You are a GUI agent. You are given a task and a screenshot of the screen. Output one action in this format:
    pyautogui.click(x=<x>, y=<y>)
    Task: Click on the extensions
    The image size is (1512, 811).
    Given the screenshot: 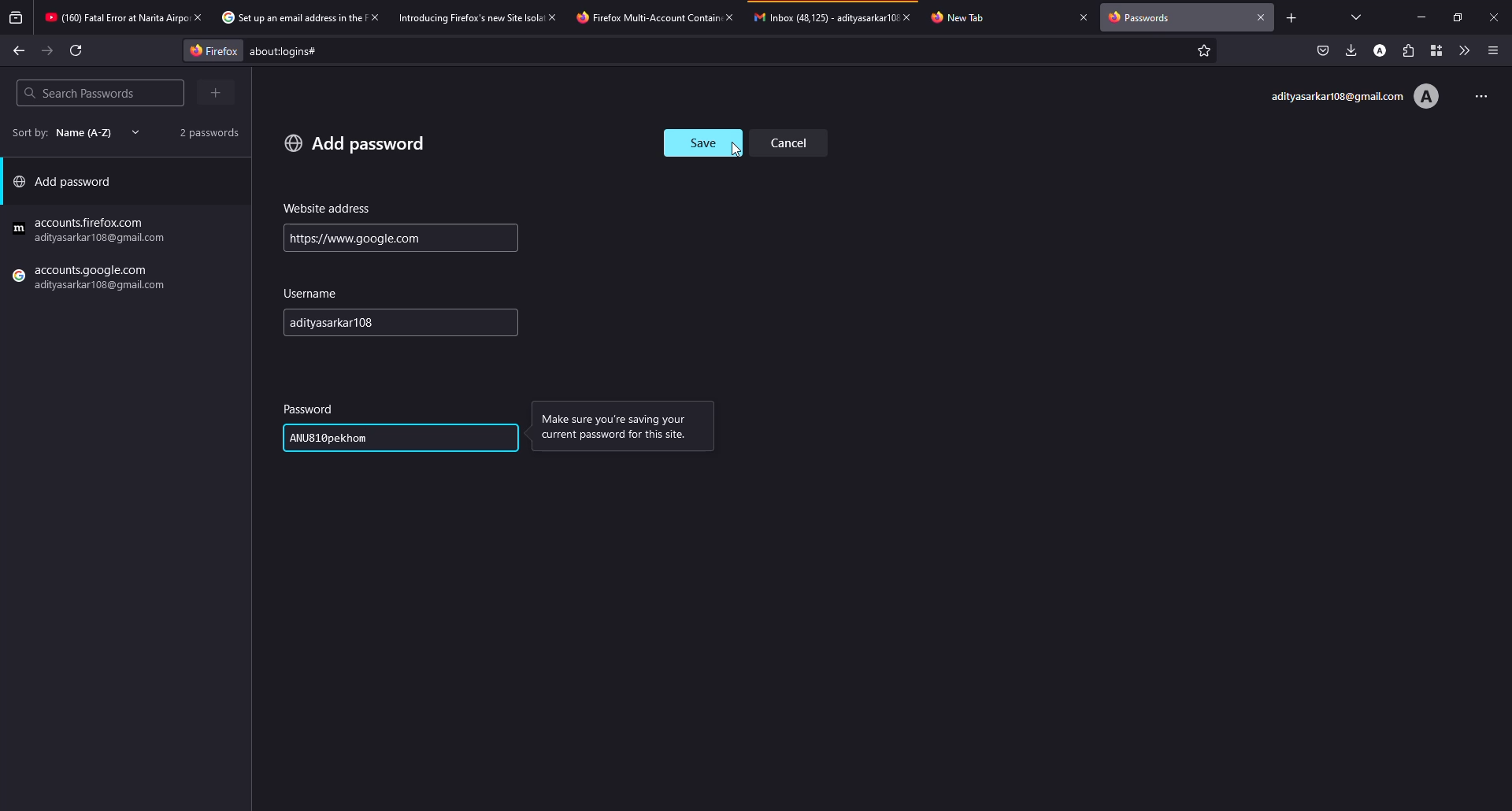 What is the action you would take?
    pyautogui.click(x=1407, y=50)
    